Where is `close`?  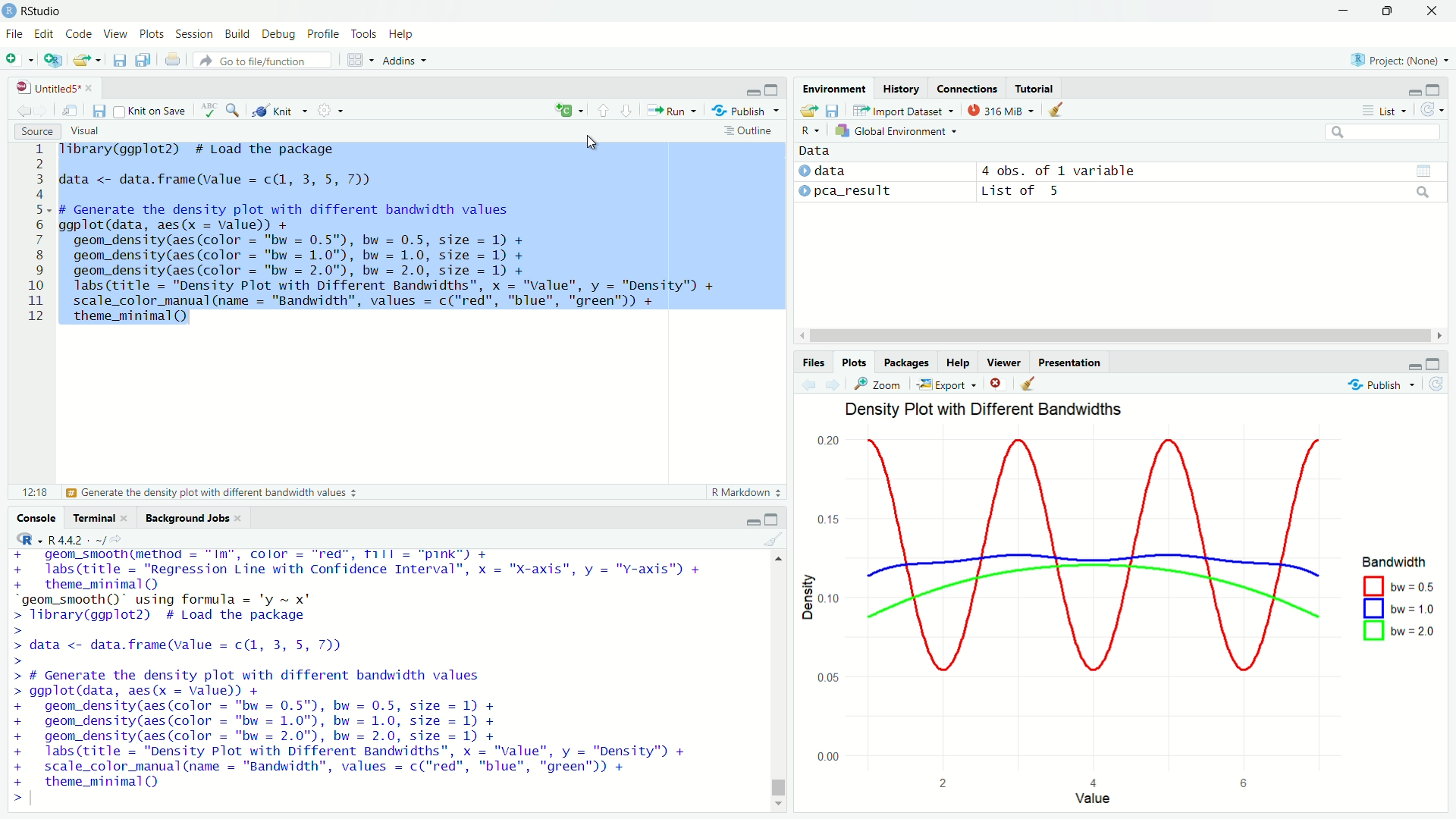
close is located at coordinates (124, 518).